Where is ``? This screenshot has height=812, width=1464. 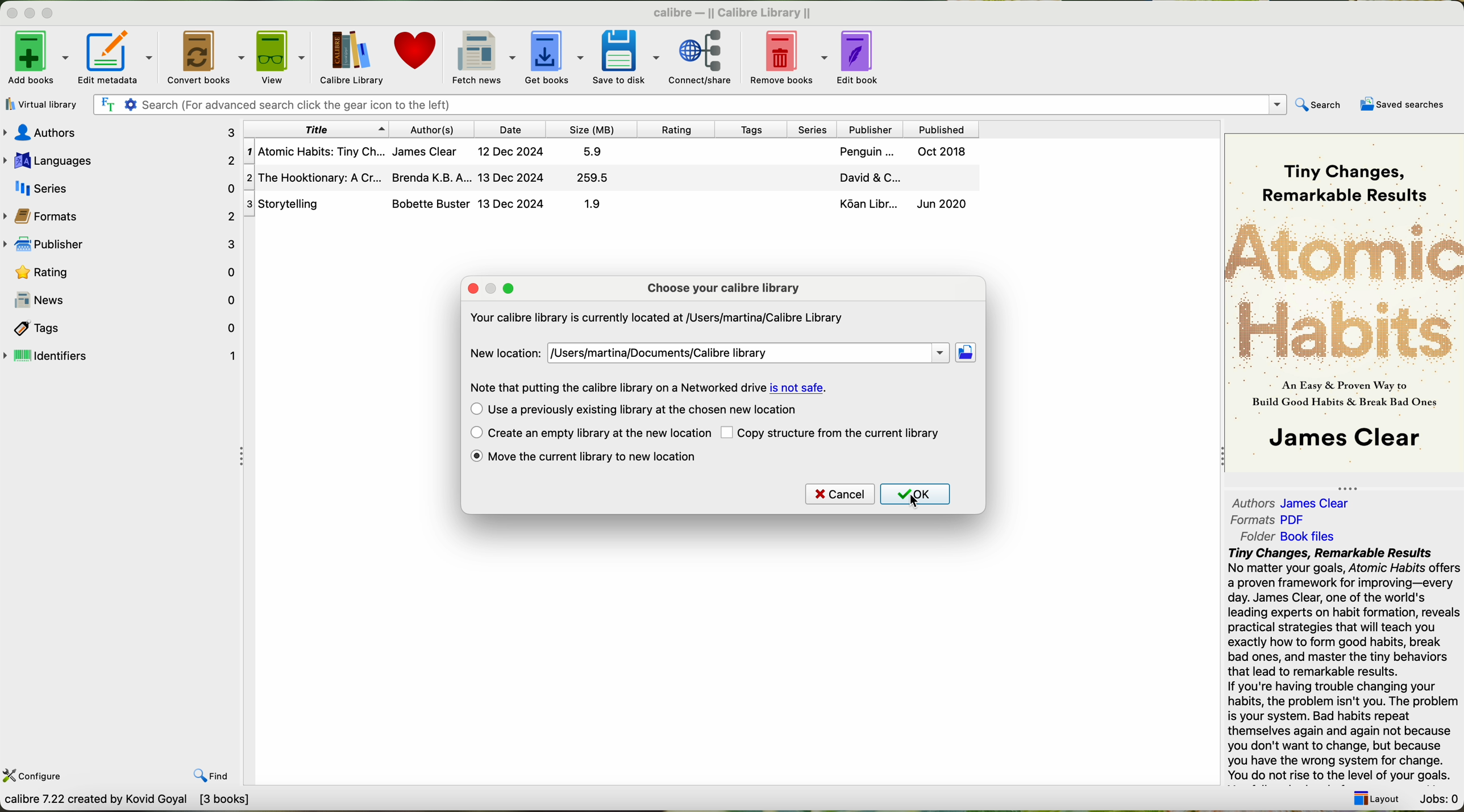
 is located at coordinates (872, 128).